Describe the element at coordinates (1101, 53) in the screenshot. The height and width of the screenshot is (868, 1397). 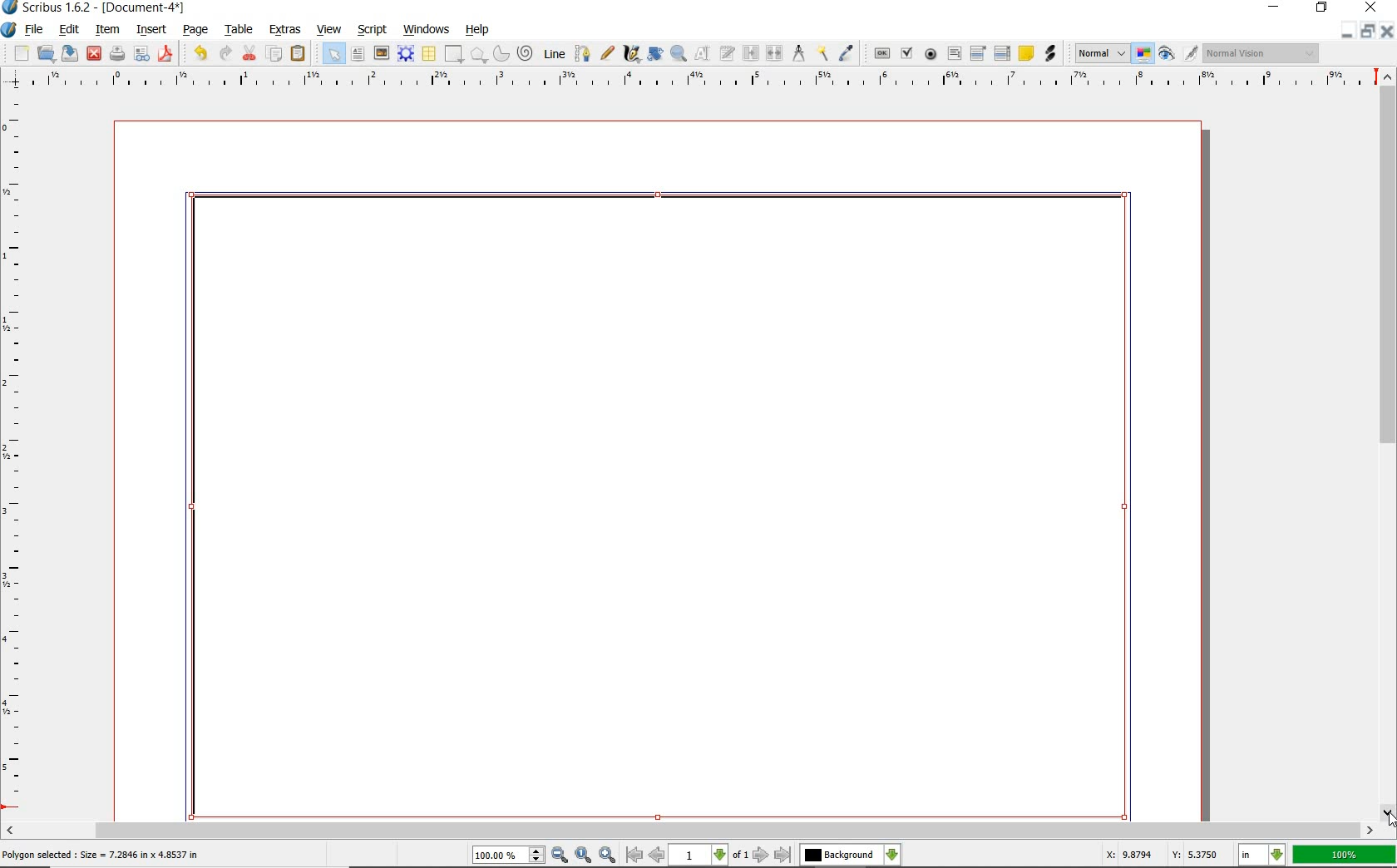
I see `Normal` at that location.